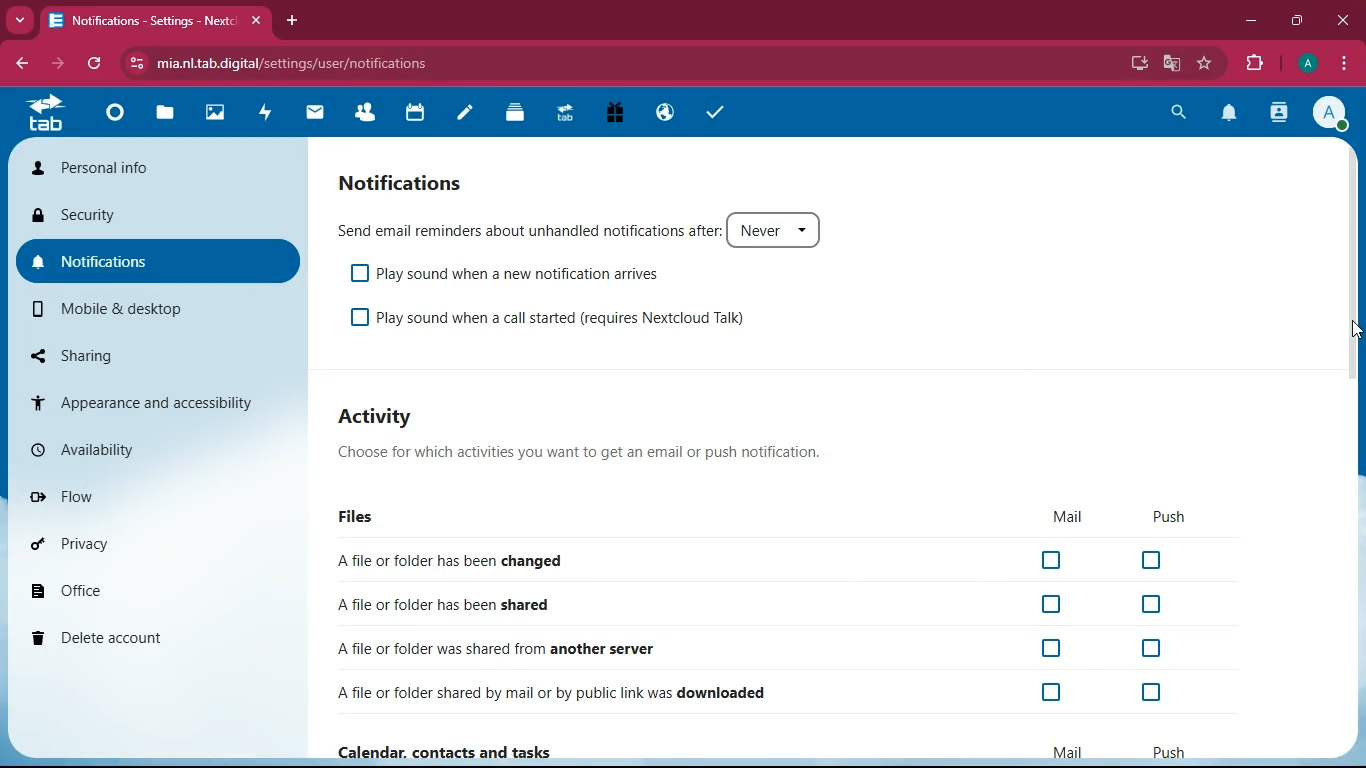 This screenshot has width=1366, height=768. Describe the element at coordinates (360, 317) in the screenshot. I see `checkbox` at that location.